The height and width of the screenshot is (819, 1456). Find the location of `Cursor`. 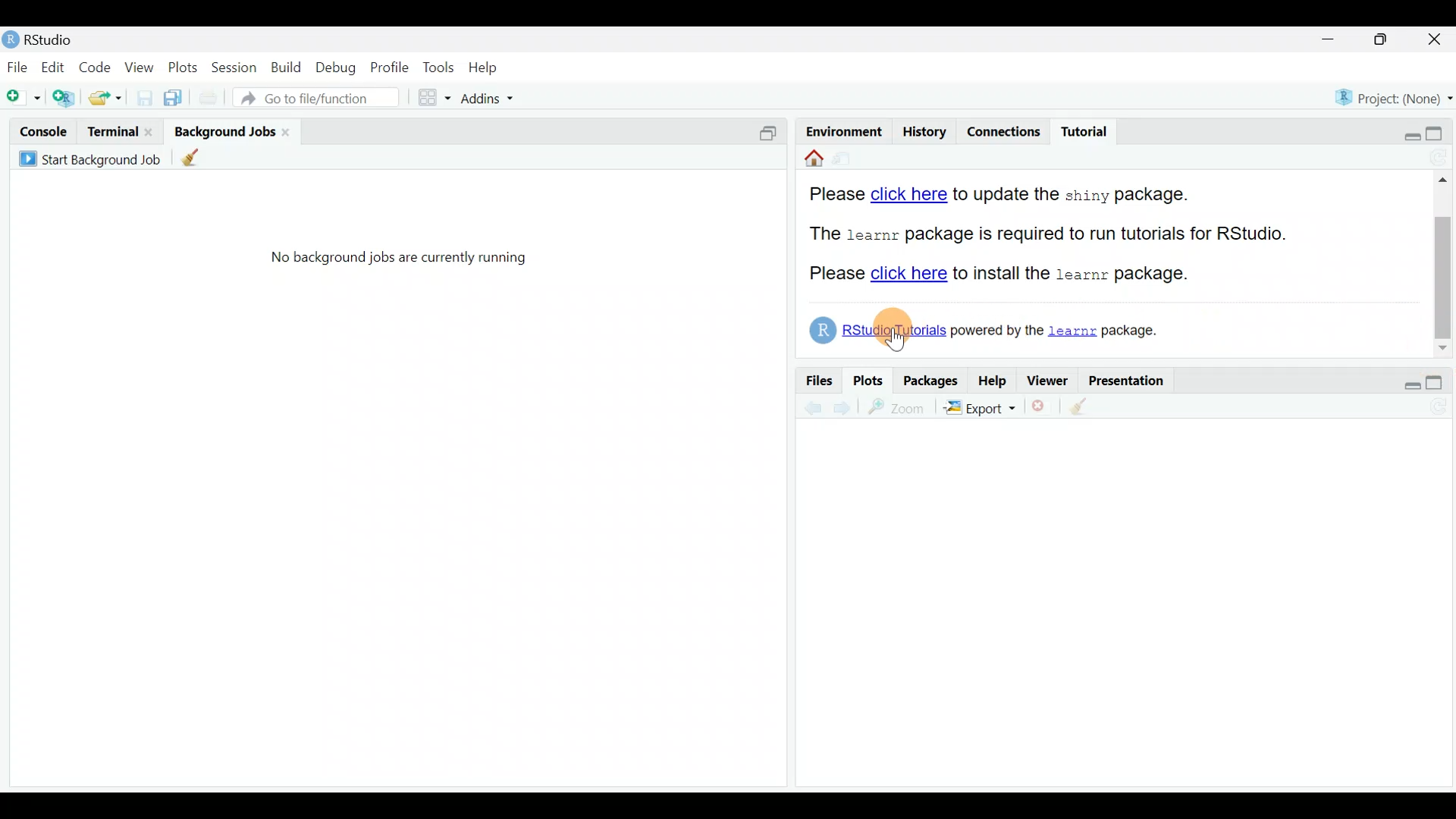

Cursor is located at coordinates (893, 331).